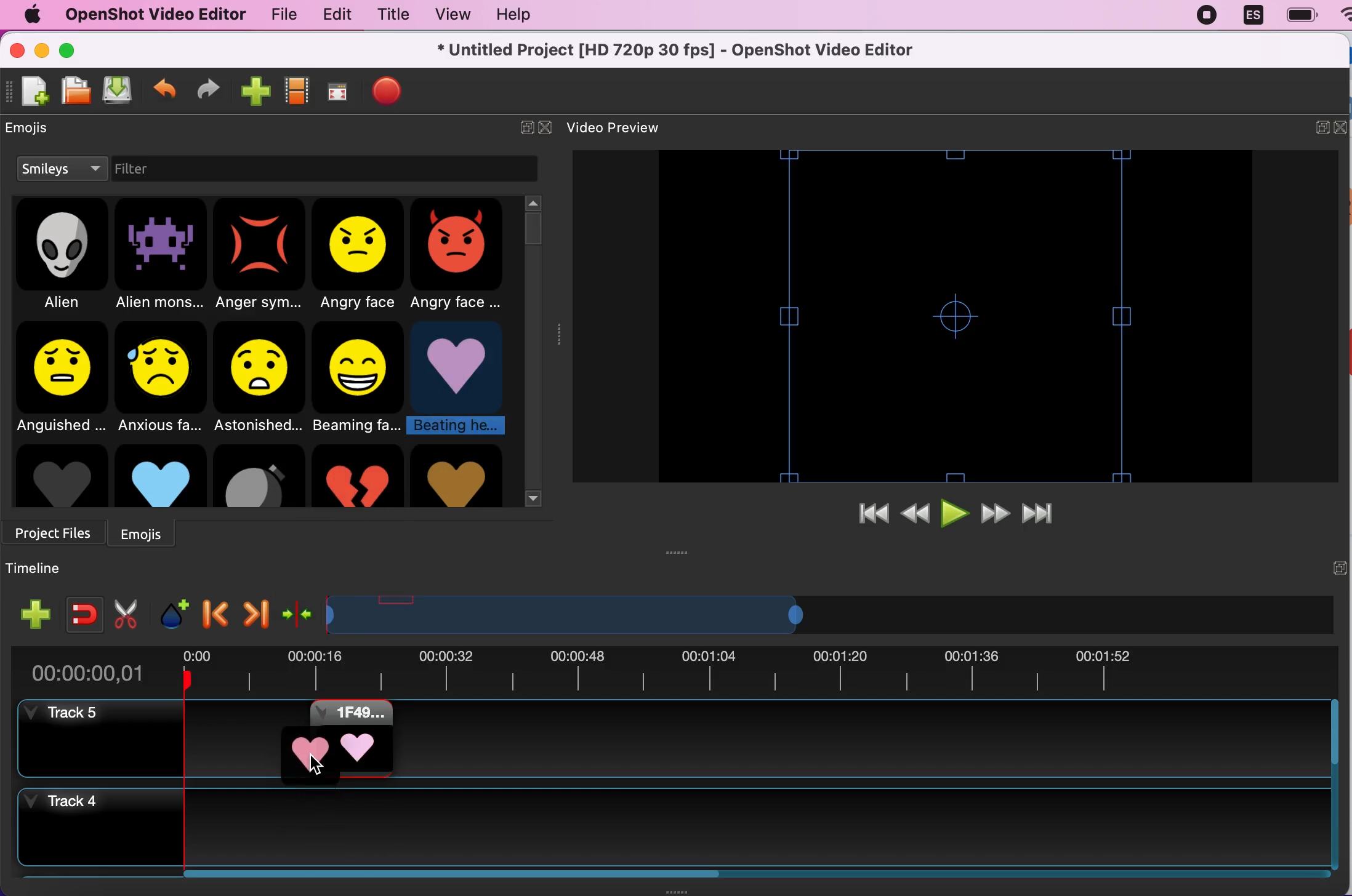 This screenshot has height=896, width=1352. What do you see at coordinates (915, 514) in the screenshot?
I see `rewind` at bounding box center [915, 514].